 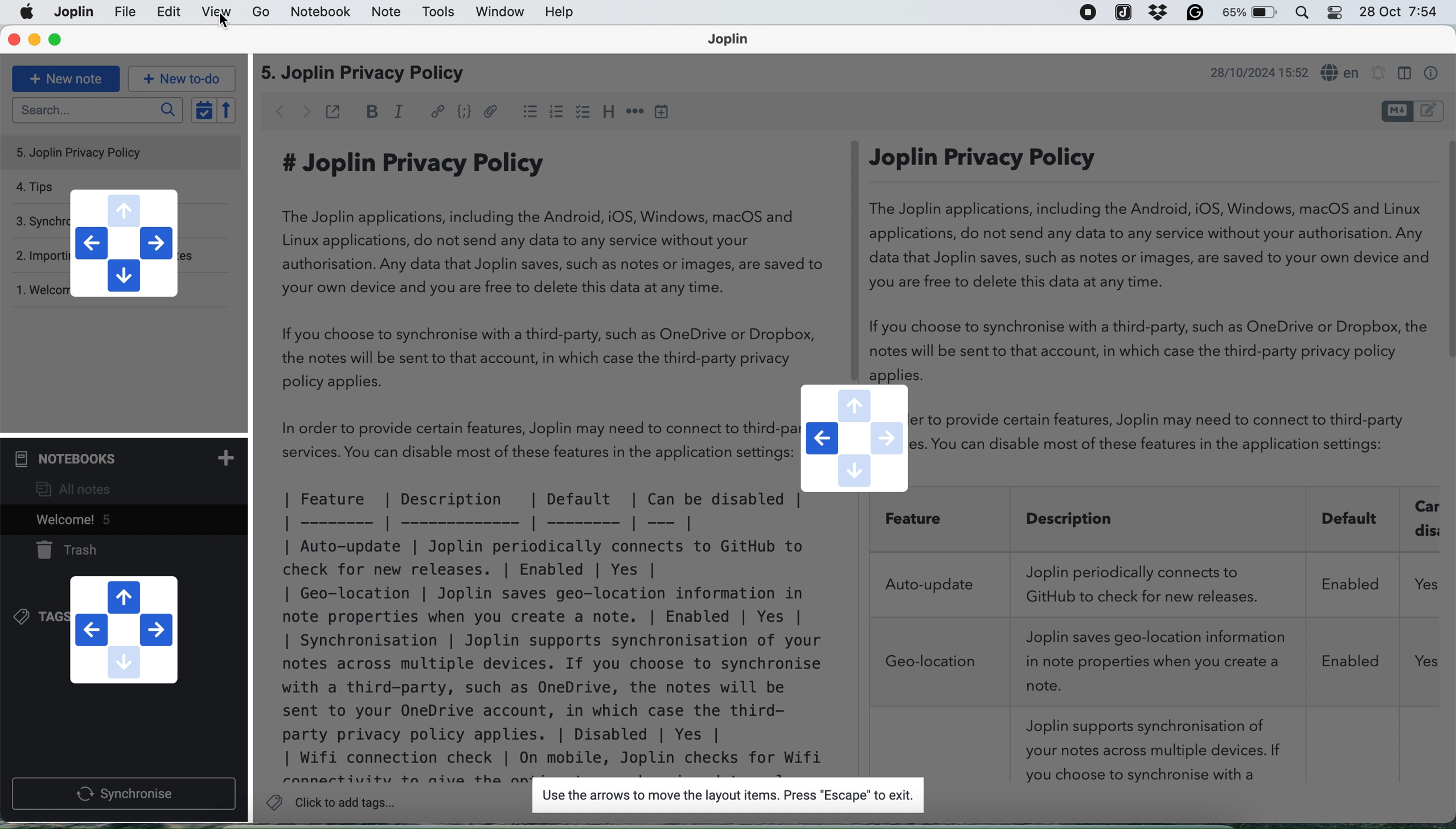 I want to click on joplin, so click(x=1123, y=12).